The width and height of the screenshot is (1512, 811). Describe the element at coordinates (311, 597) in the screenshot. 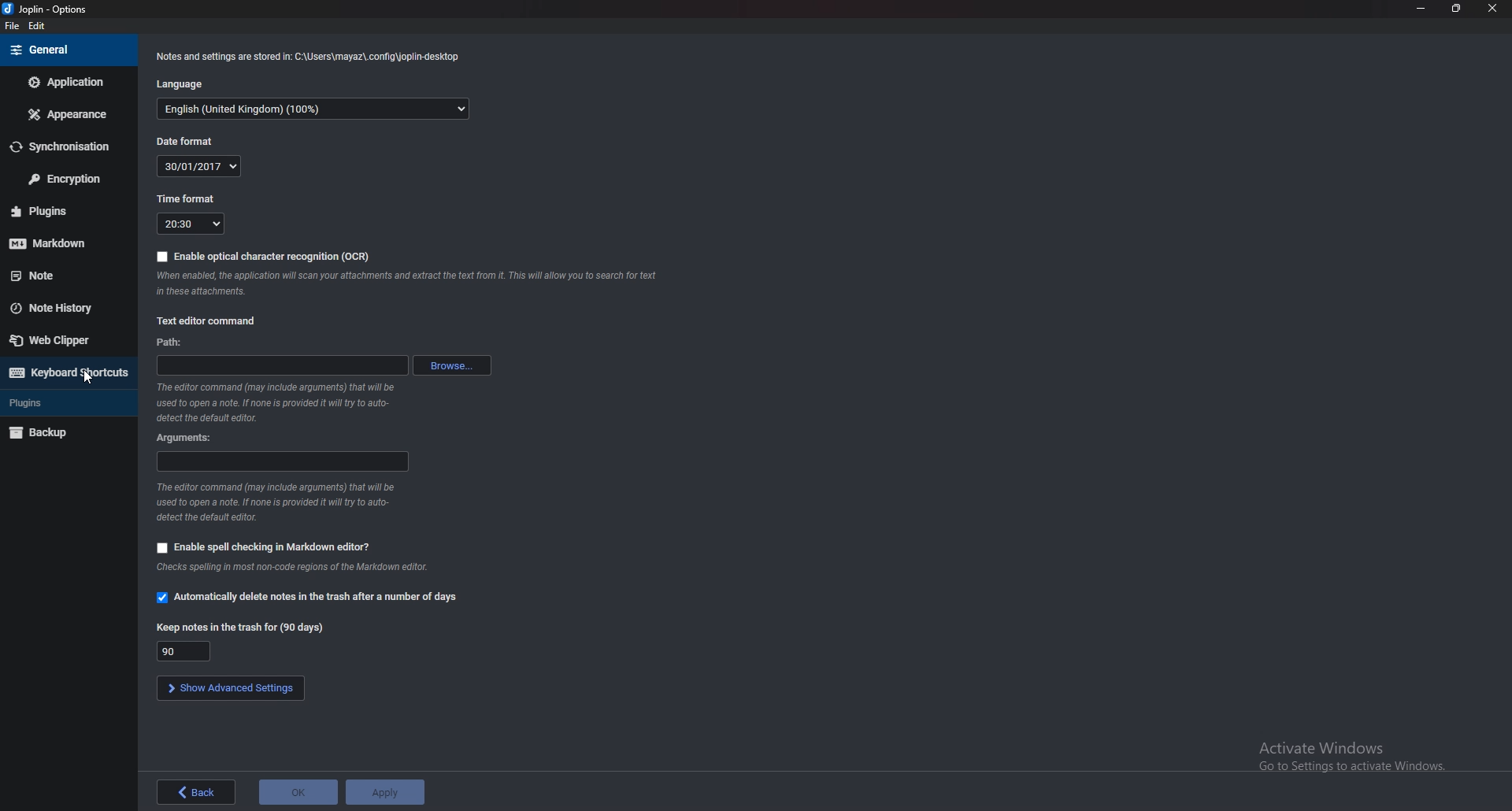

I see `Automatically delete notes` at that location.